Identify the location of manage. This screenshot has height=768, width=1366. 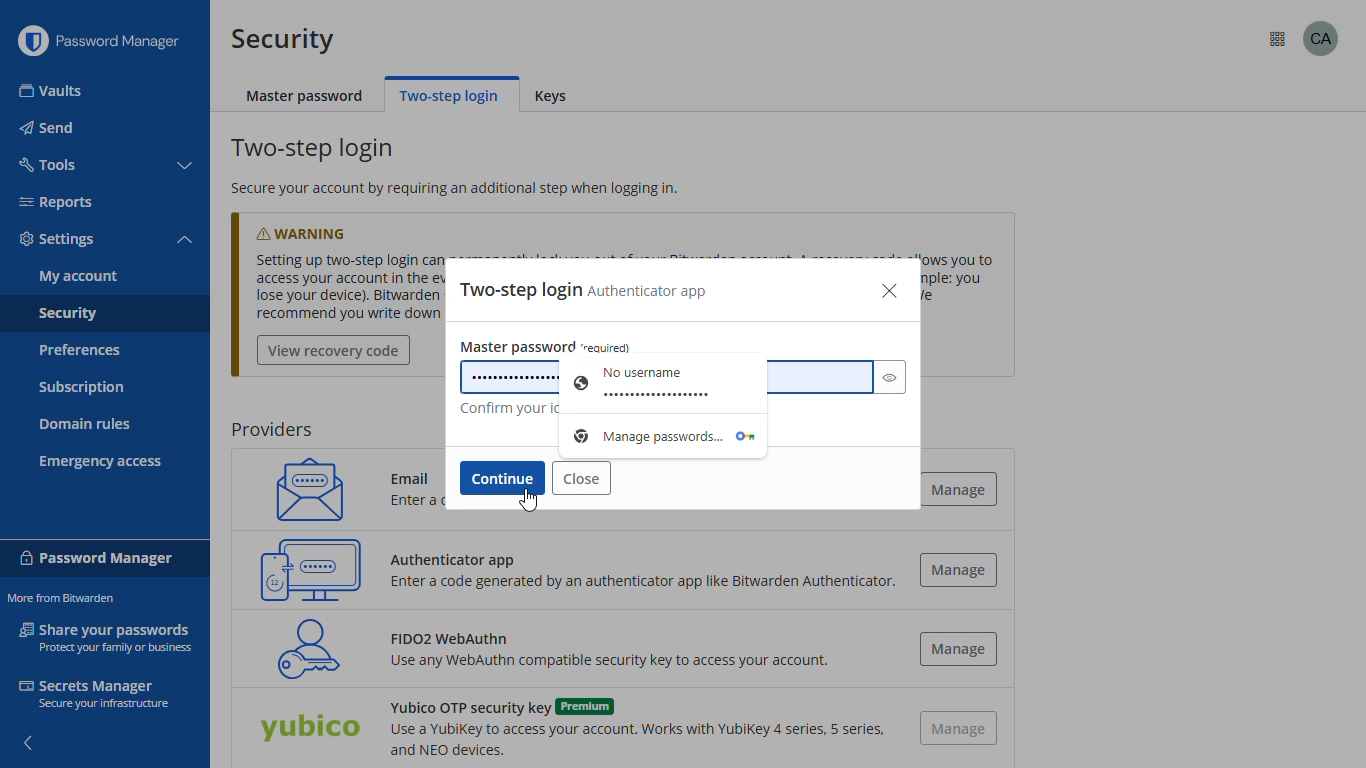
(959, 569).